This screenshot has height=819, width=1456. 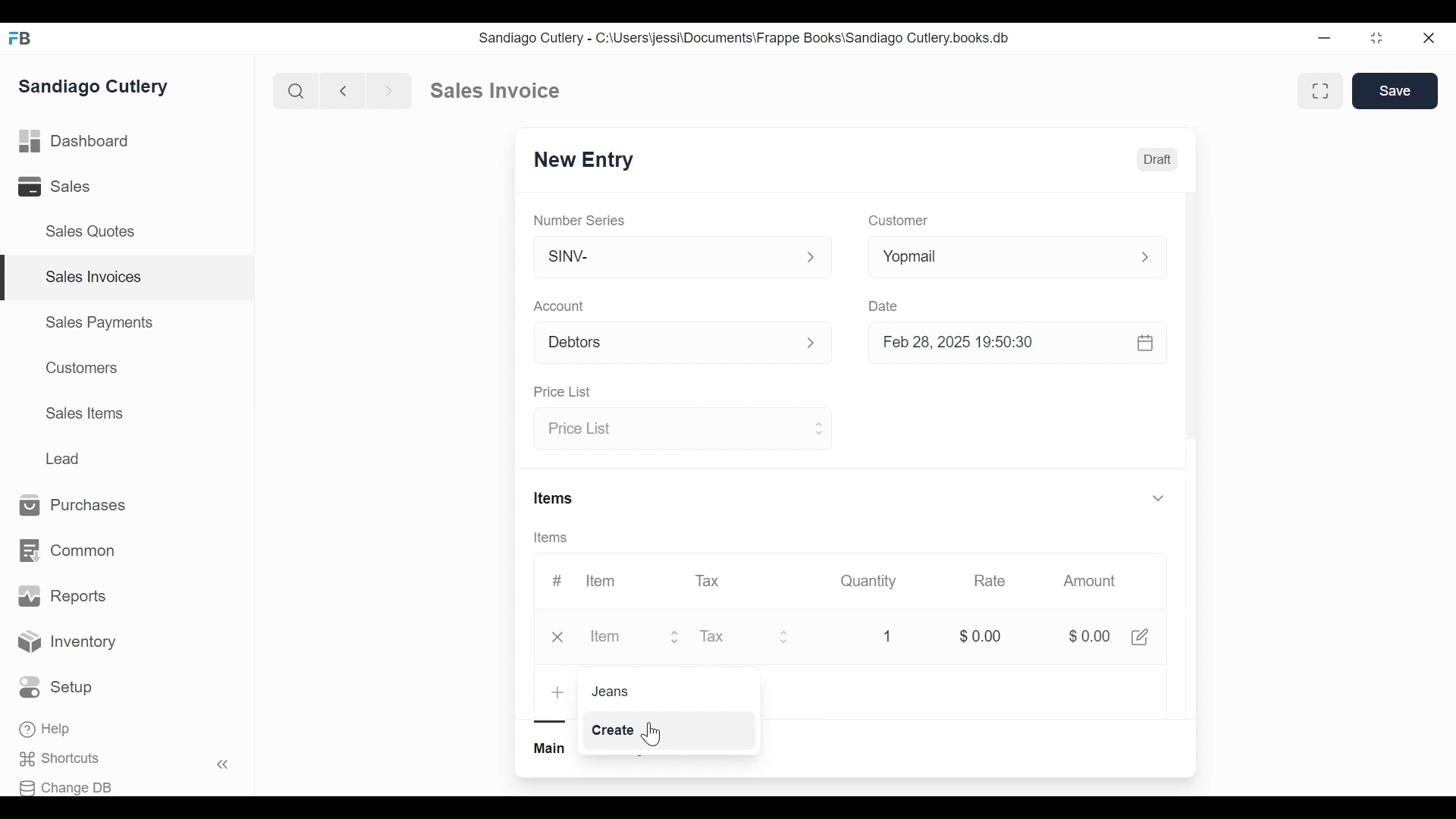 What do you see at coordinates (619, 730) in the screenshot?
I see `Create` at bounding box center [619, 730].